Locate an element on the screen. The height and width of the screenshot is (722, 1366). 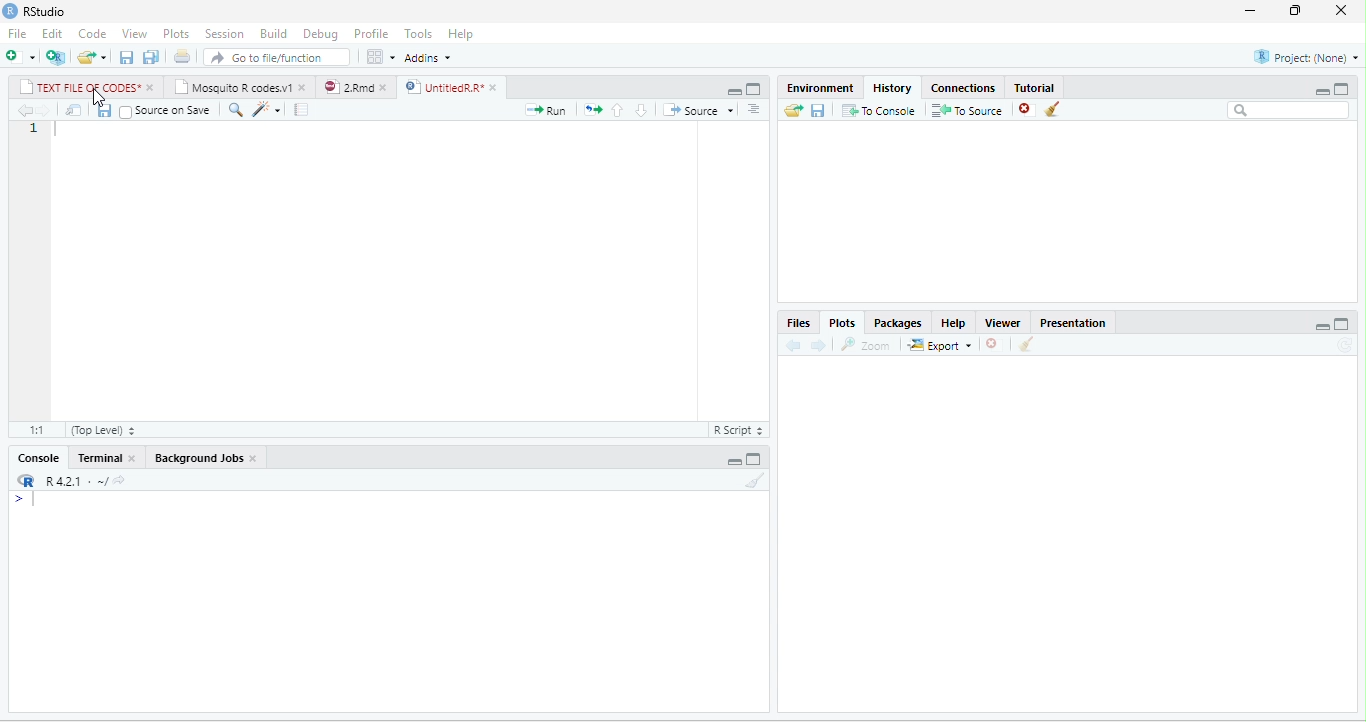
clear is located at coordinates (756, 480).